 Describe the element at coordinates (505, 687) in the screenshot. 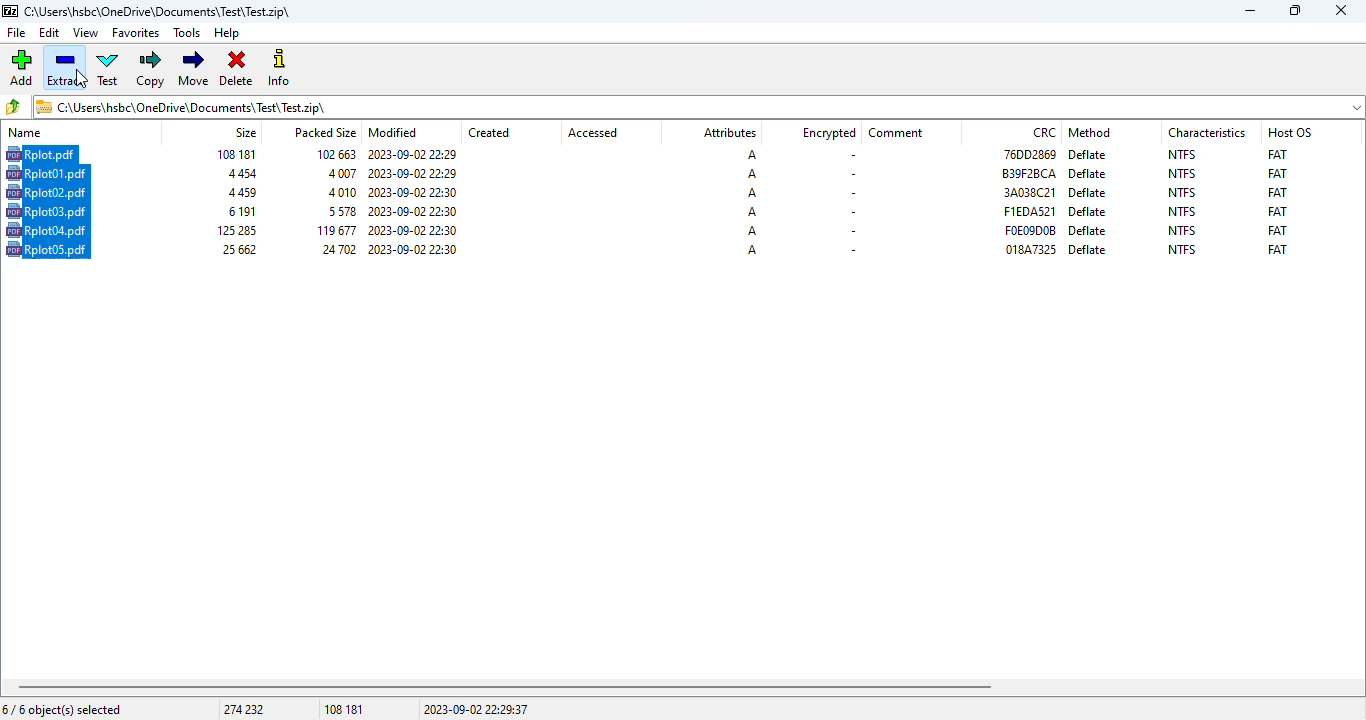

I see `horizontal scroll bar` at that location.